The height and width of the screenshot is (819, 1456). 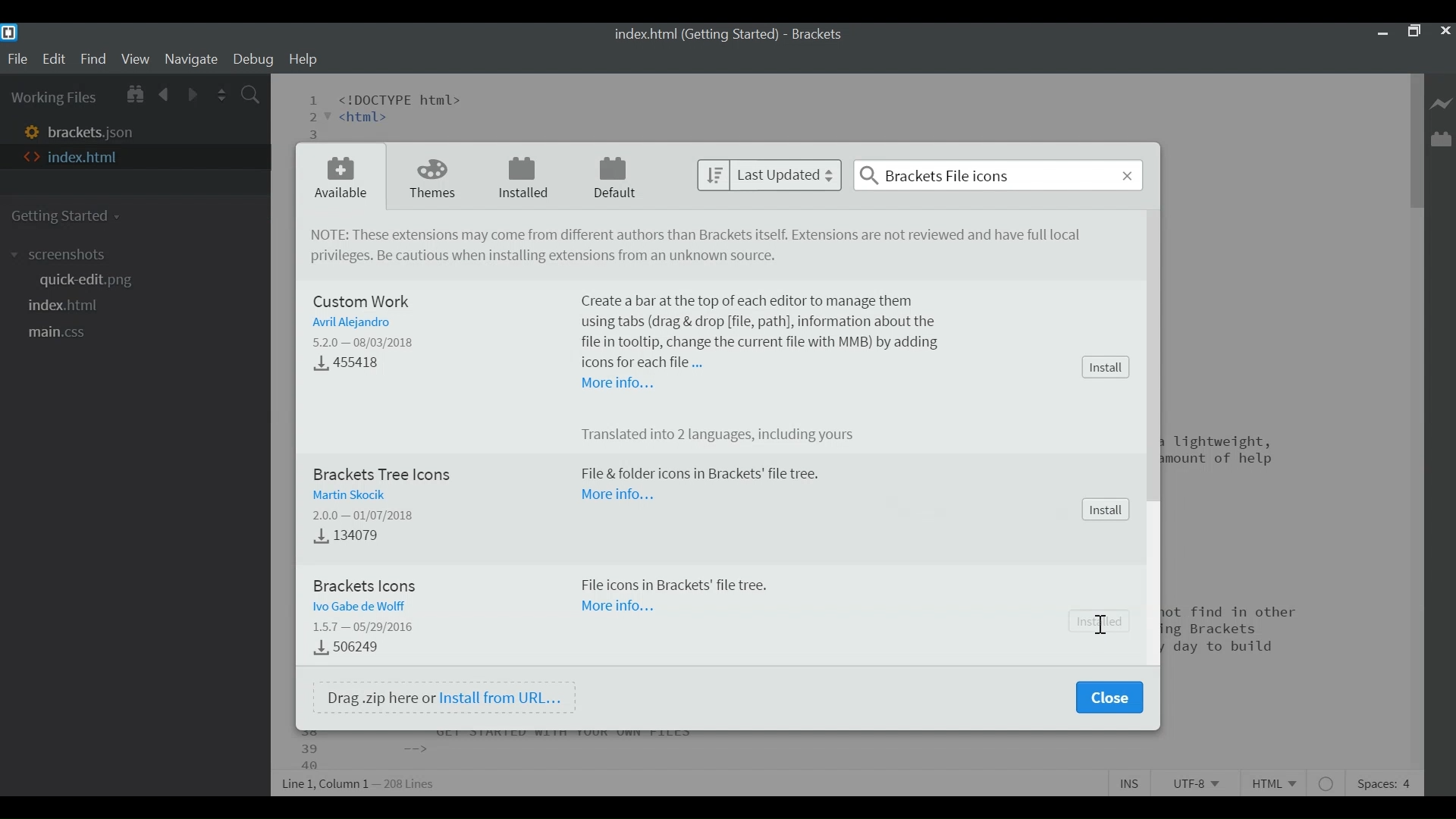 What do you see at coordinates (1328, 783) in the screenshot?
I see `No lintel available for html` at bounding box center [1328, 783].